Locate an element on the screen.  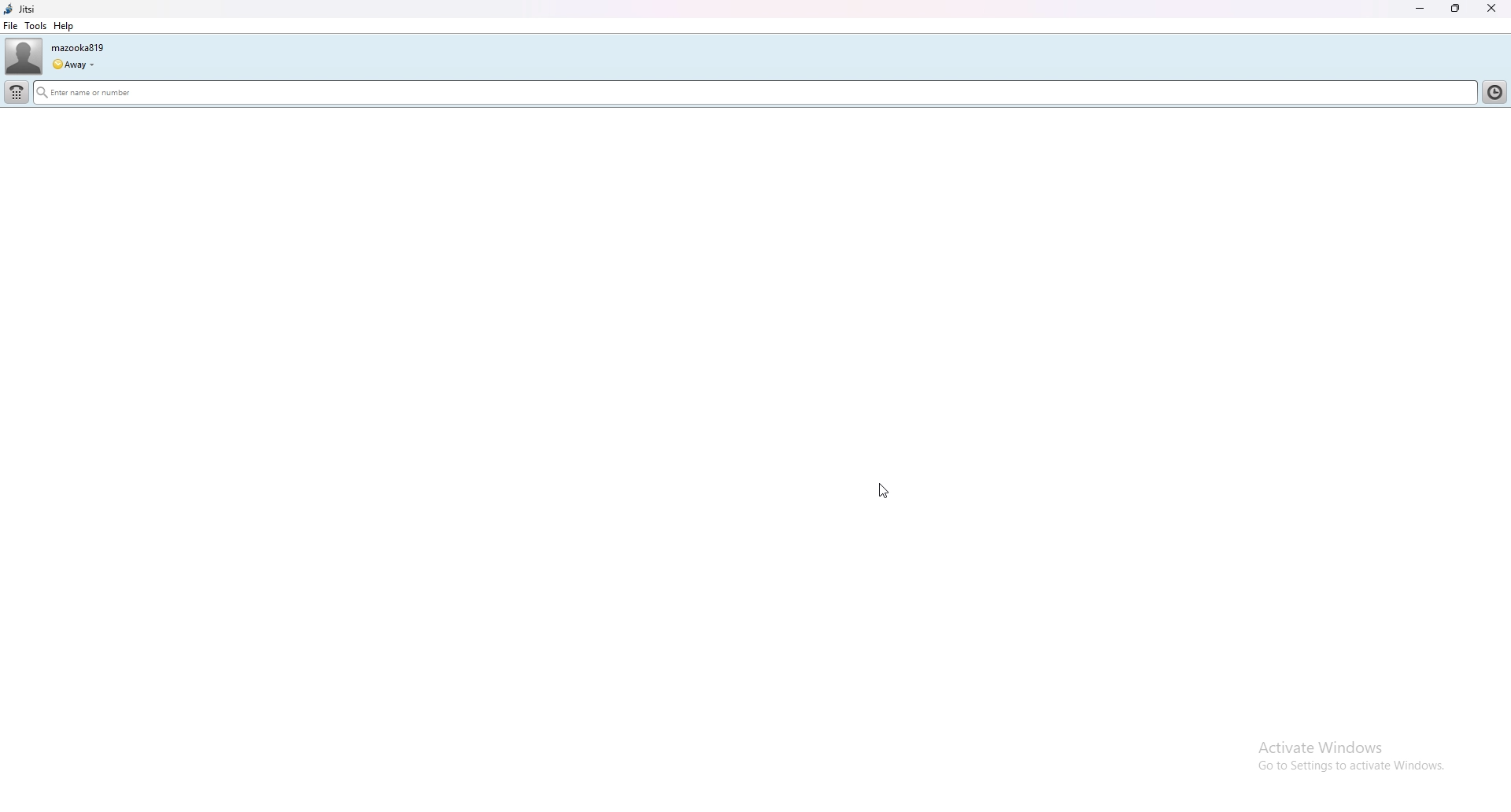
resize is located at coordinates (1457, 8).